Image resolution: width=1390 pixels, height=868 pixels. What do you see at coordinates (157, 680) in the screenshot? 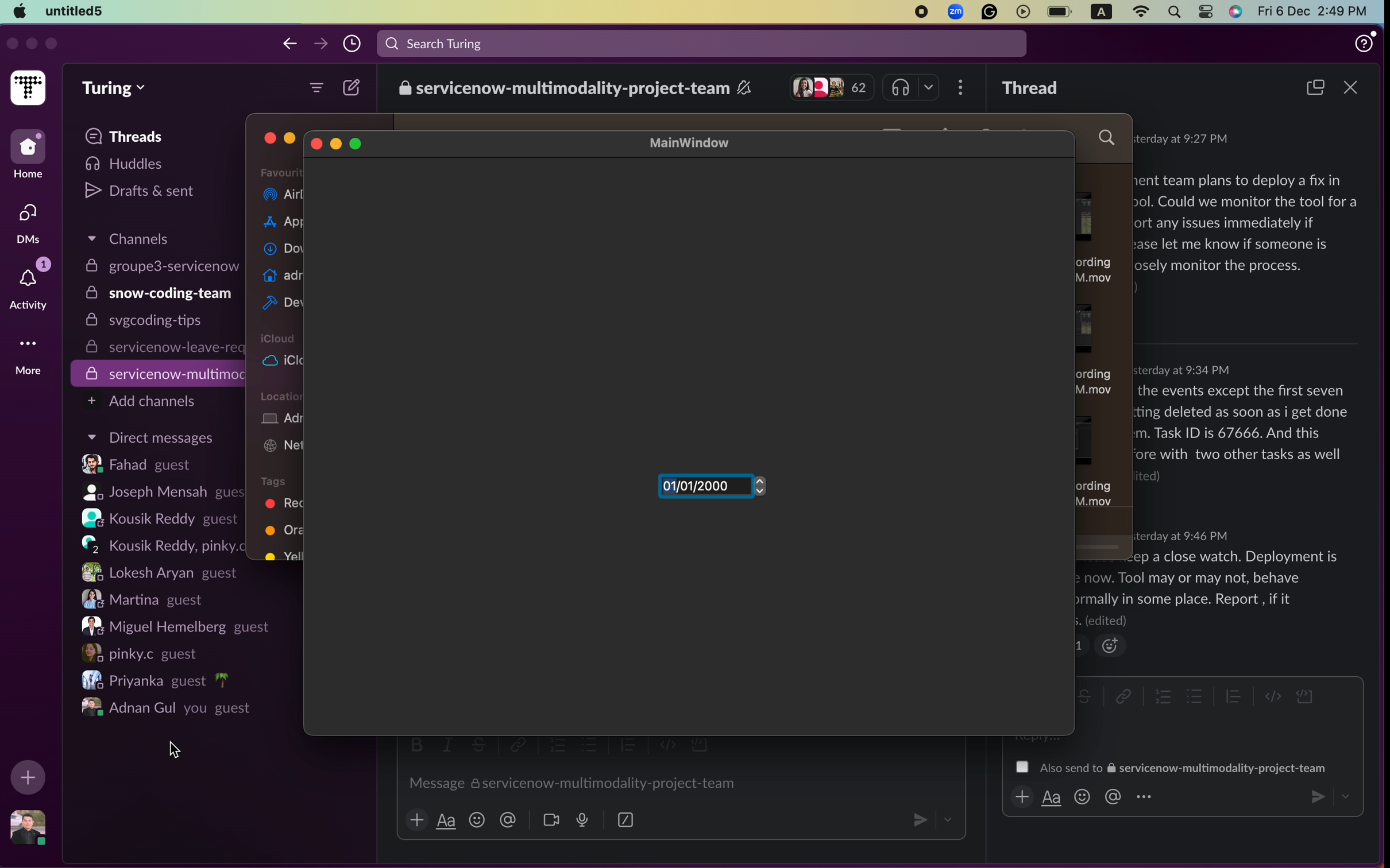
I see `Priyanka` at bounding box center [157, 680].